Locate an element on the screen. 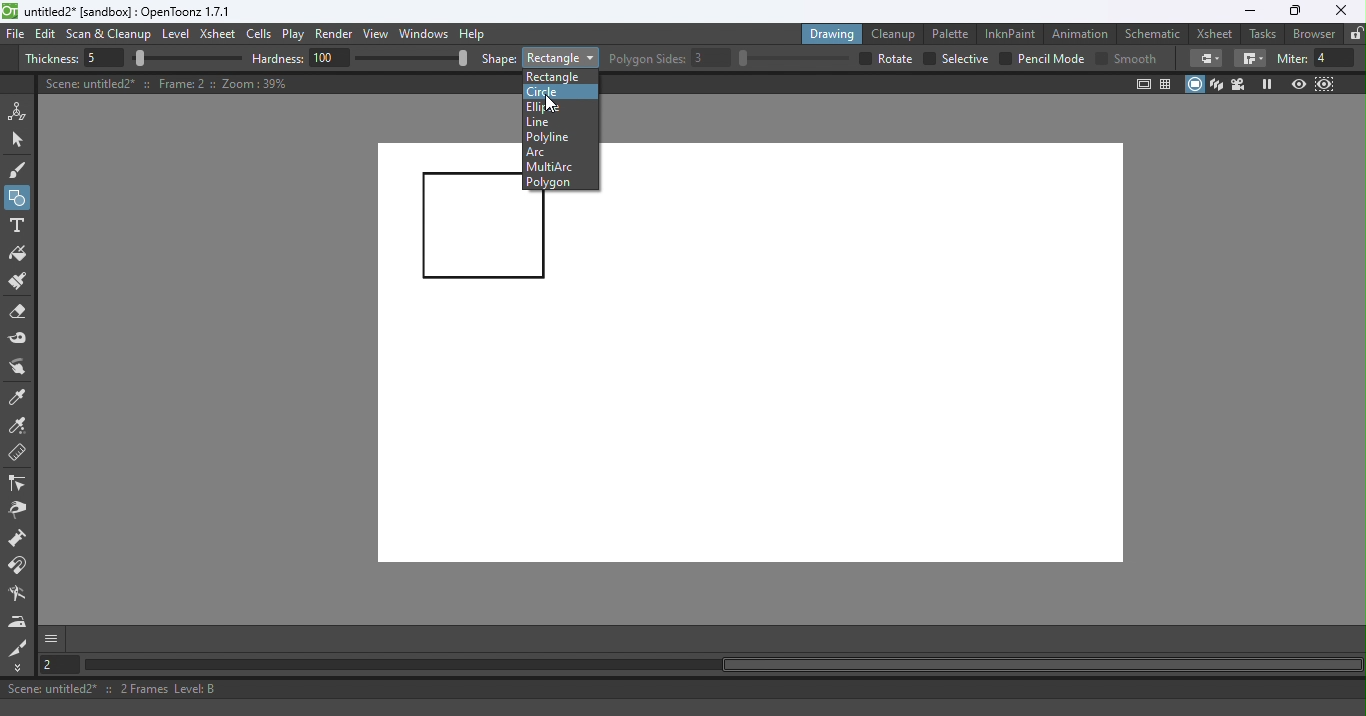 Image resolution: width=1366 pixels, height=716 pixels. Drawing is located at coordinates (834, 33).